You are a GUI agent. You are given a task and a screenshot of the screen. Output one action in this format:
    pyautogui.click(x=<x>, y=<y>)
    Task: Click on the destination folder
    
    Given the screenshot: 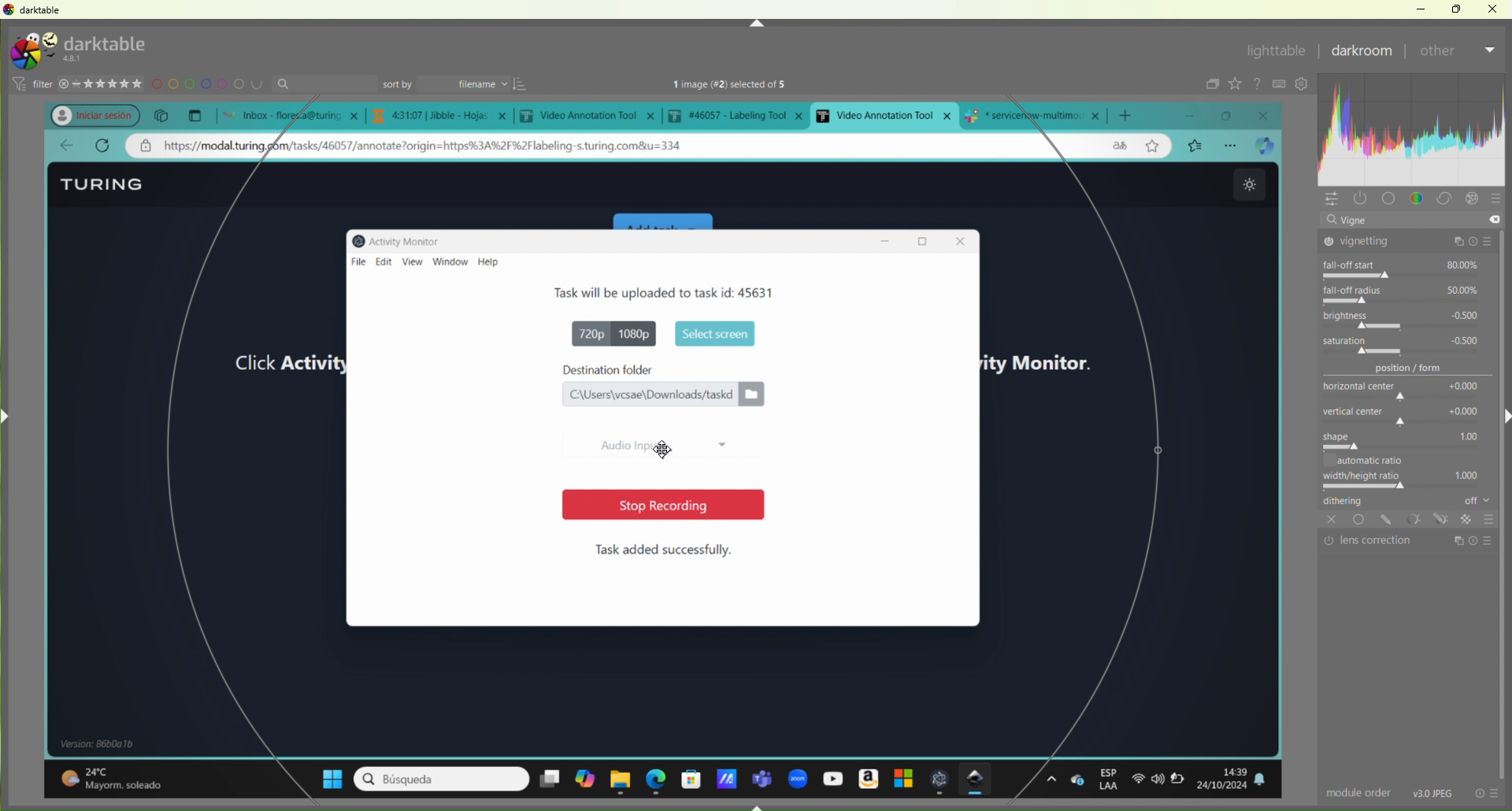 What is the action you would take?
    pyautogui.click(x=664, y=369)
    